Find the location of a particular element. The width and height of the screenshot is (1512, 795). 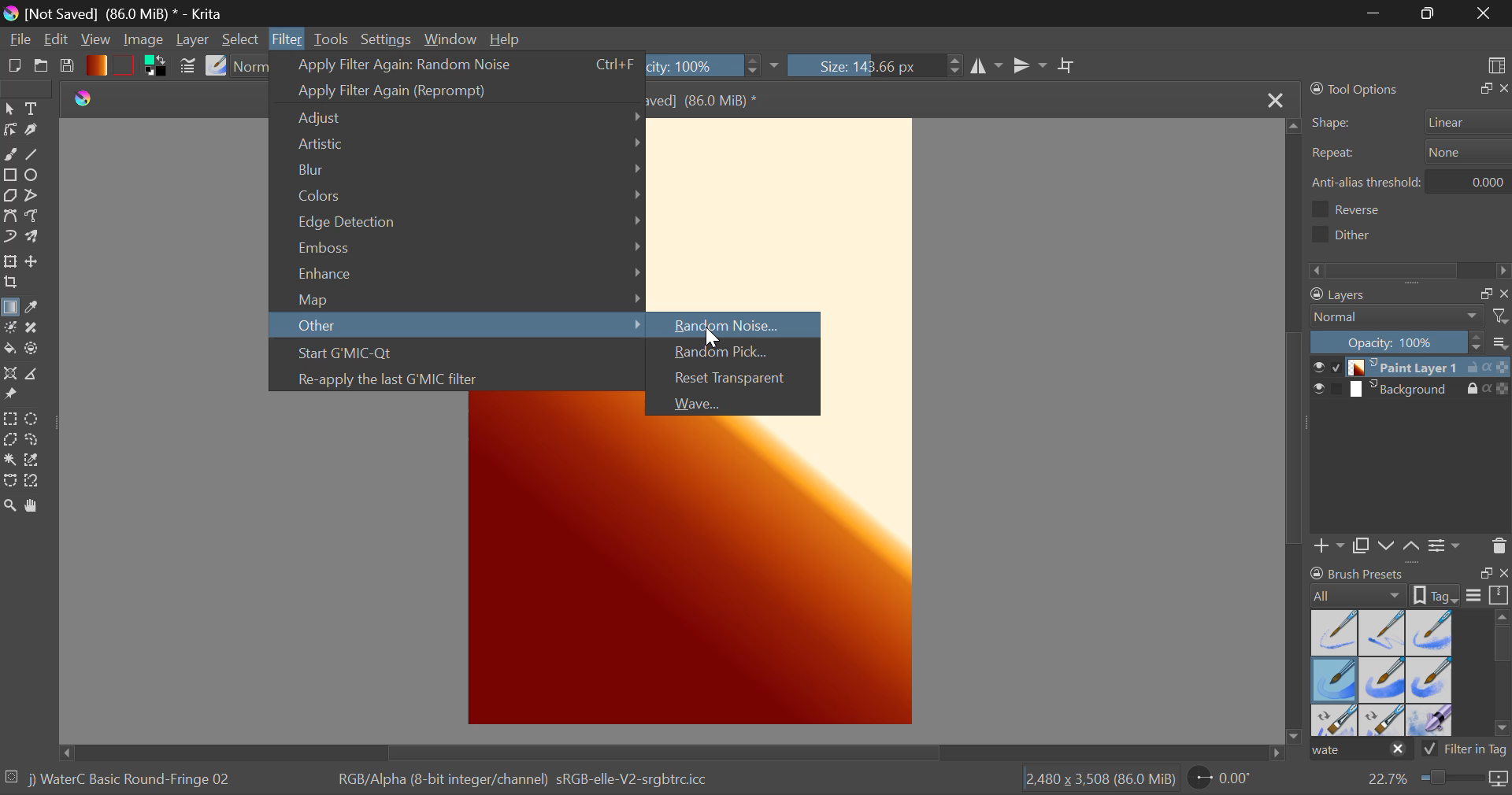

Repeat: is located at coordinates (1333, 154).